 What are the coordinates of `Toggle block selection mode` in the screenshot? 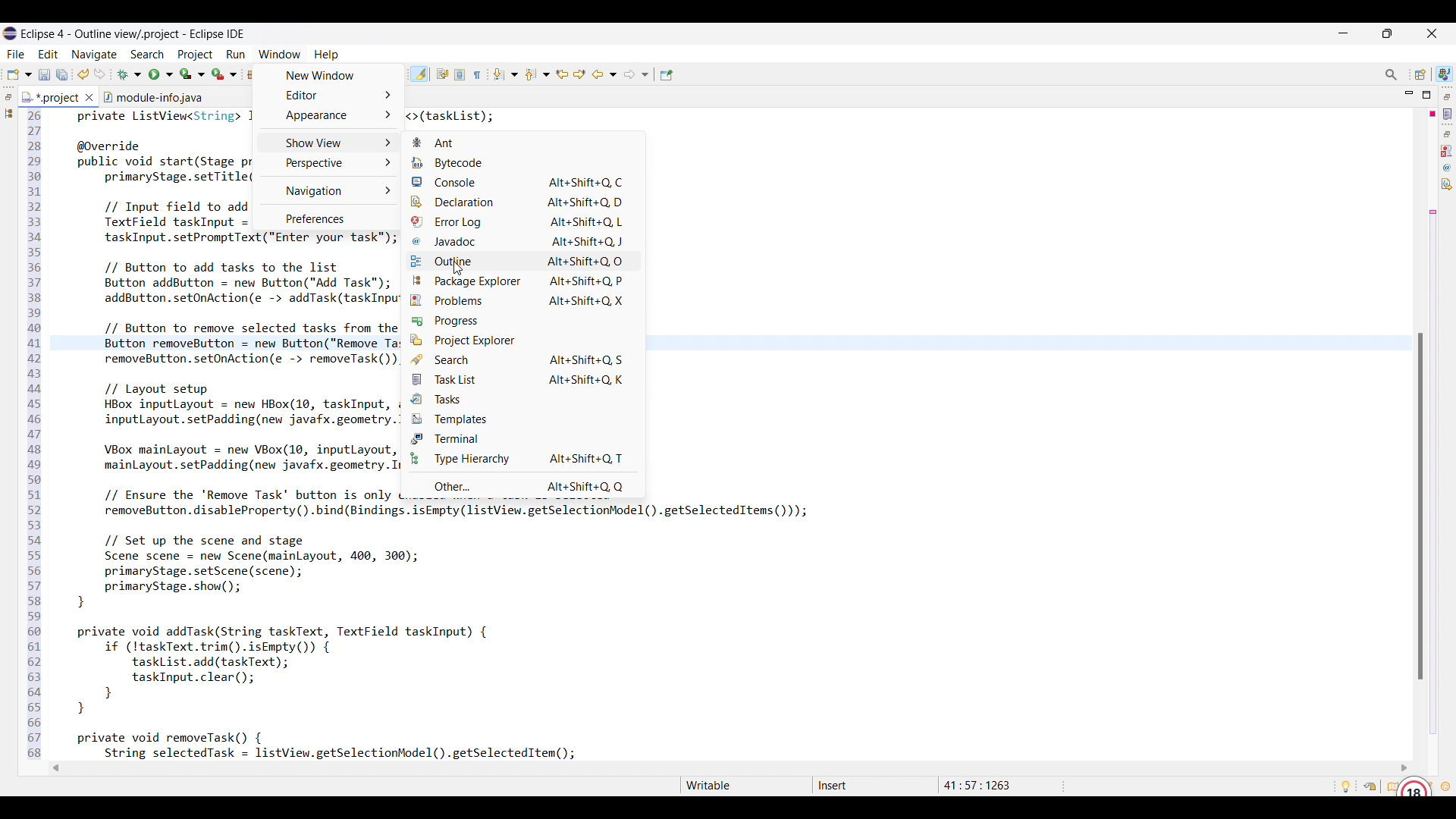 It's located at (460, 74).